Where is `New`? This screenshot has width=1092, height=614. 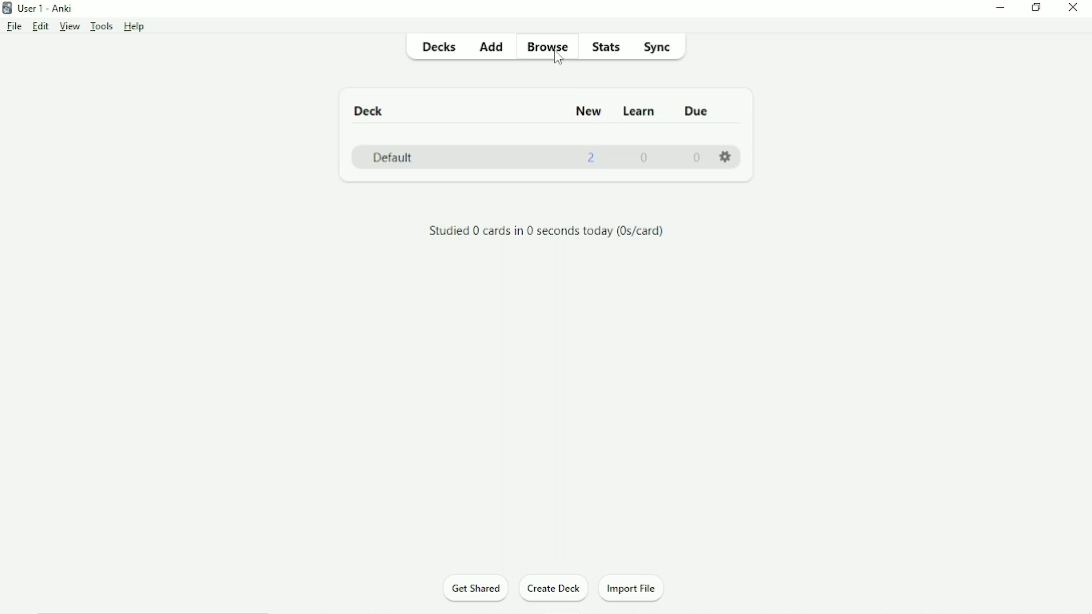
New is located at coordinates (588, 111).